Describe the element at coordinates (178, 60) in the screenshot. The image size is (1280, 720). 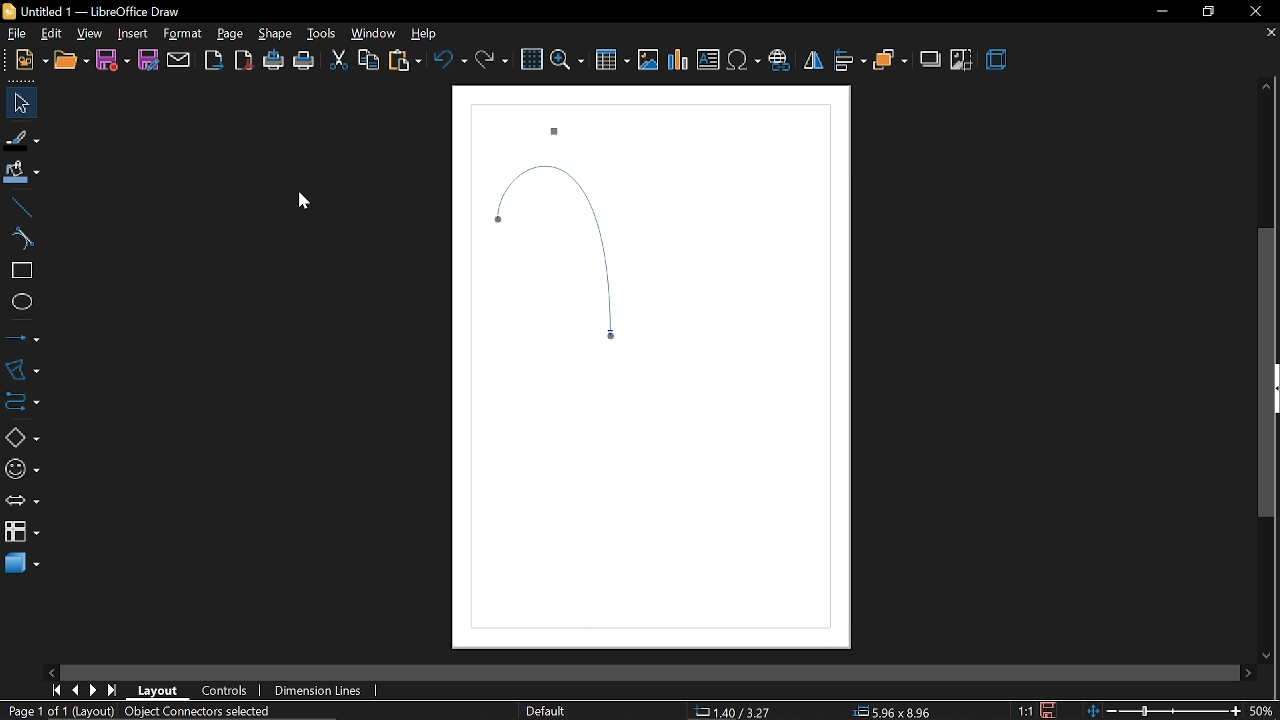
I see `attach` at that location.